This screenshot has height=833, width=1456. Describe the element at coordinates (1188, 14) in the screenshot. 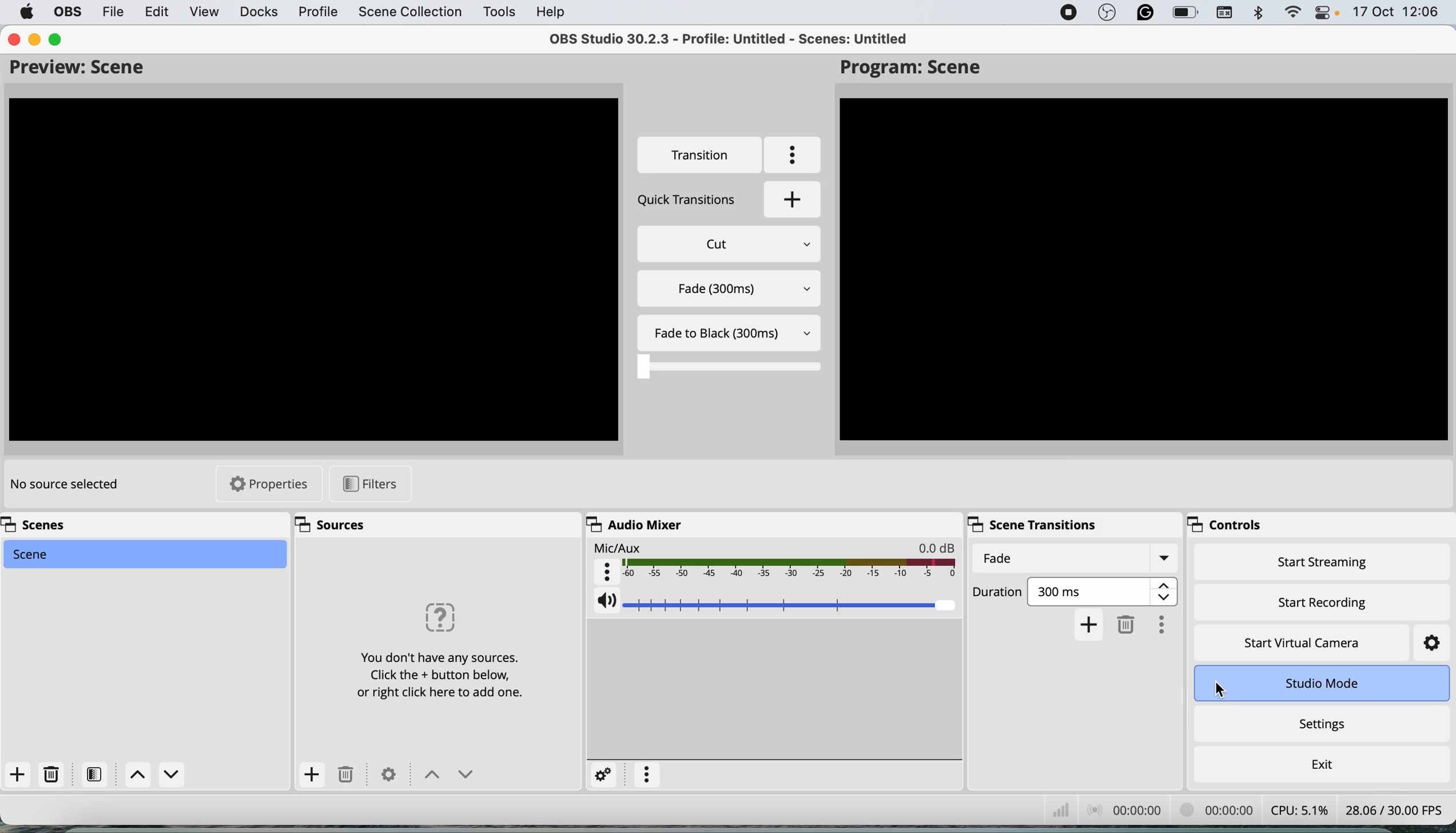

I see `battery` at that location.